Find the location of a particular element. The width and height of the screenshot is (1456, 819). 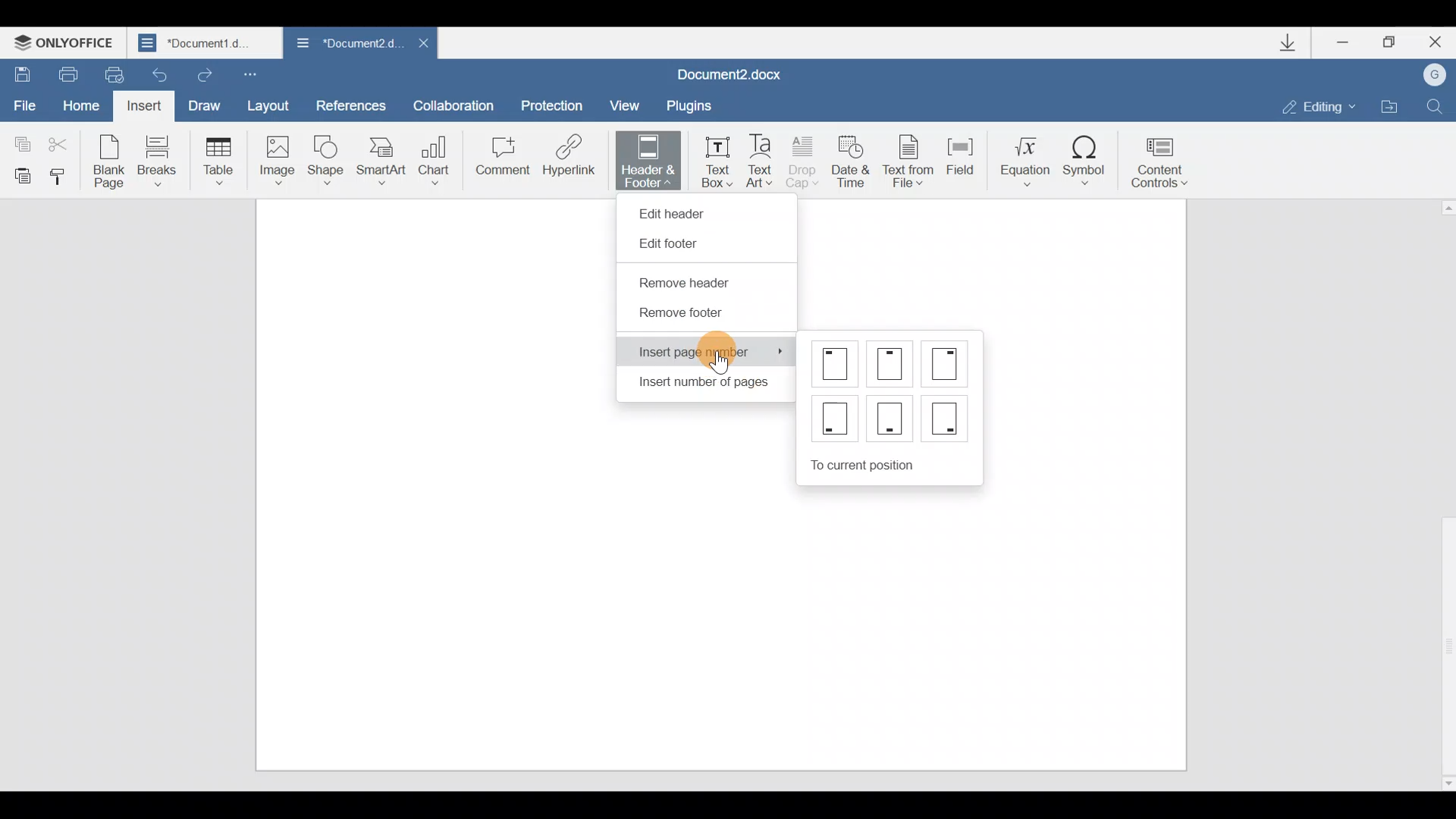

Position 1 is located at coordinates (836, 363).